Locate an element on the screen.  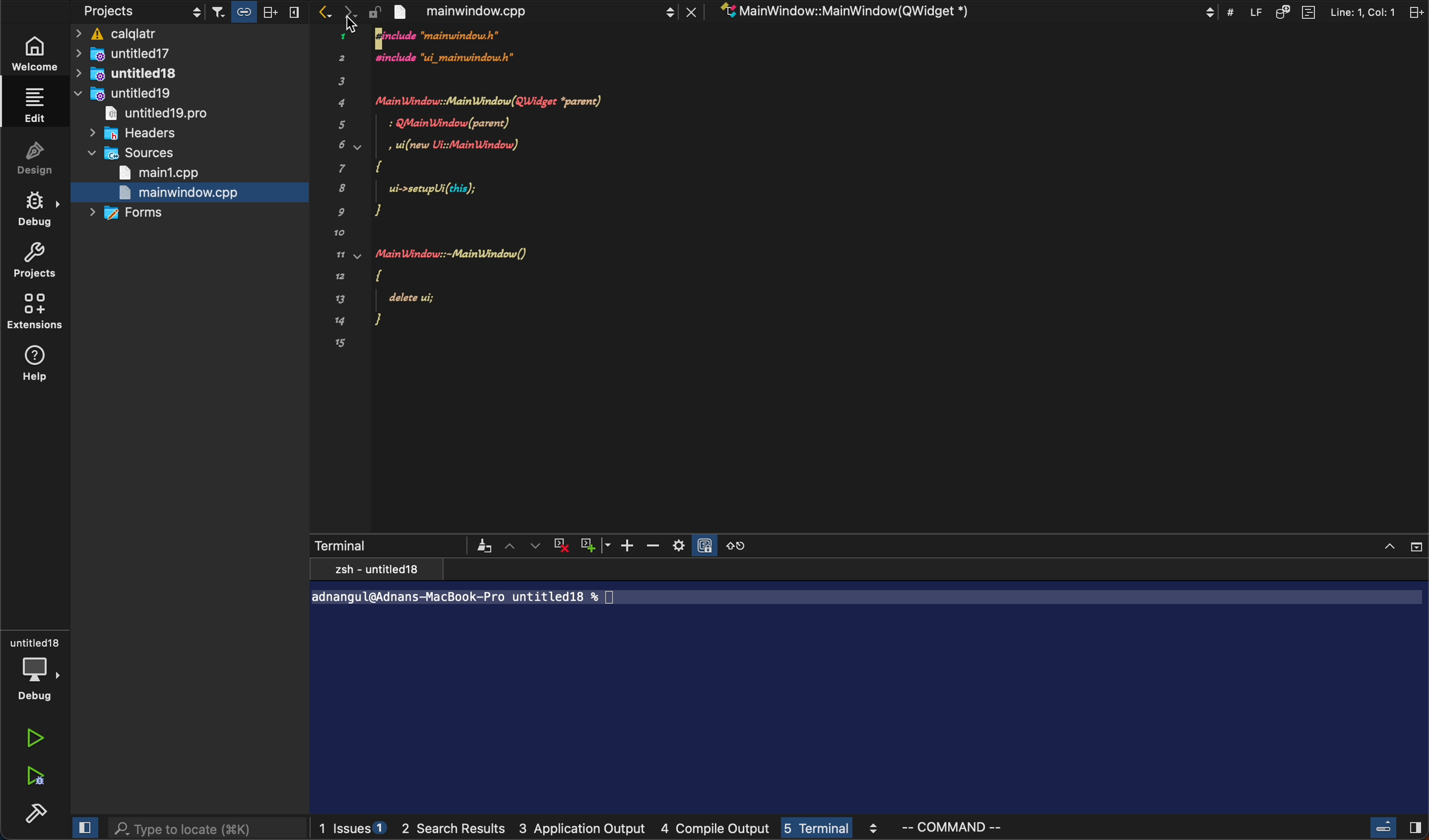
filter is located at coordinates (256, 11).